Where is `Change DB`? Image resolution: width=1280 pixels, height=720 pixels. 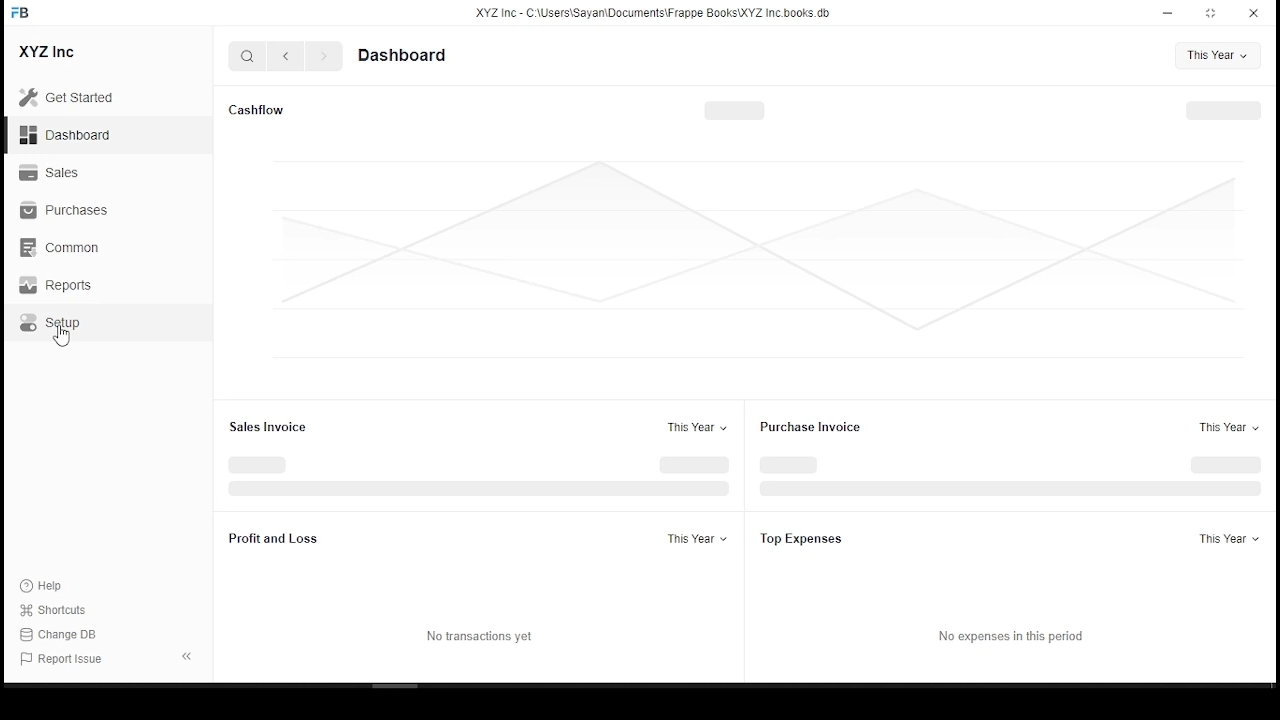
Change DB is located at coordinates (61, 634).